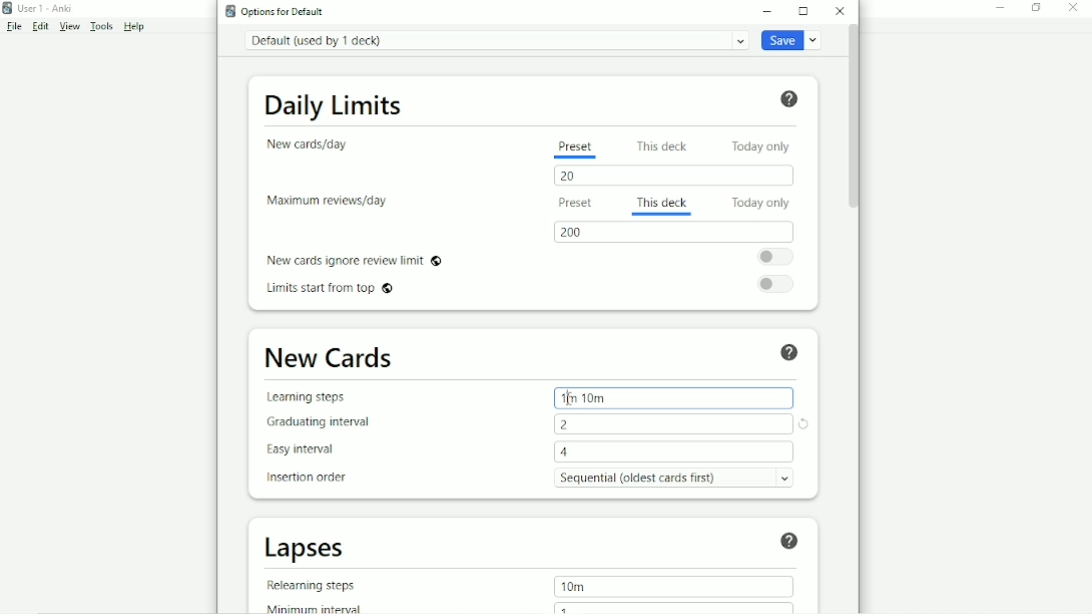 The width and height of the screenshot is (1092, 614). Describe the element at coordinates (317, 423) in the screenshot. I see `Graduating interval` at that location.